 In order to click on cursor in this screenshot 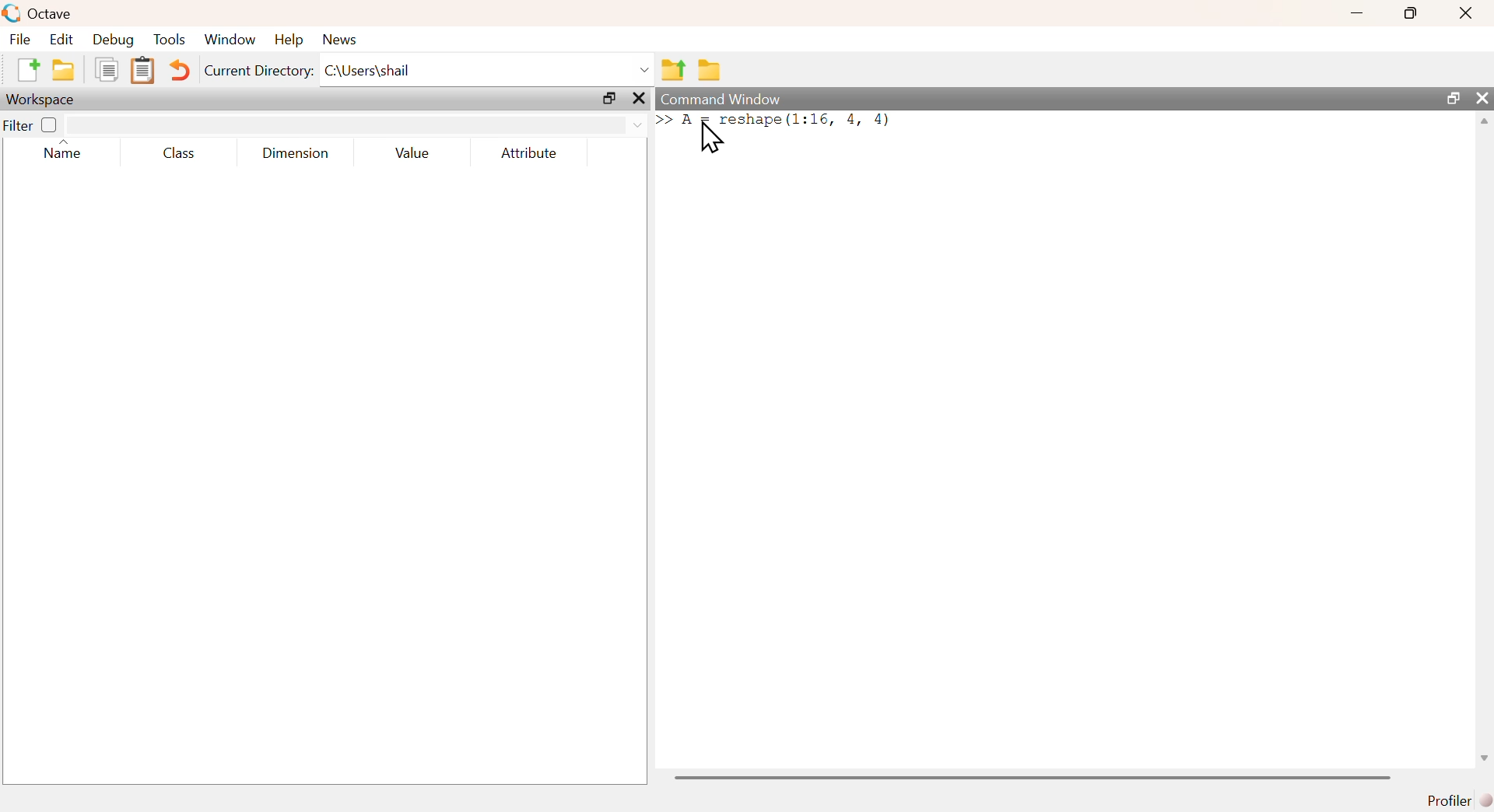, I will do `click(712, 140)`.